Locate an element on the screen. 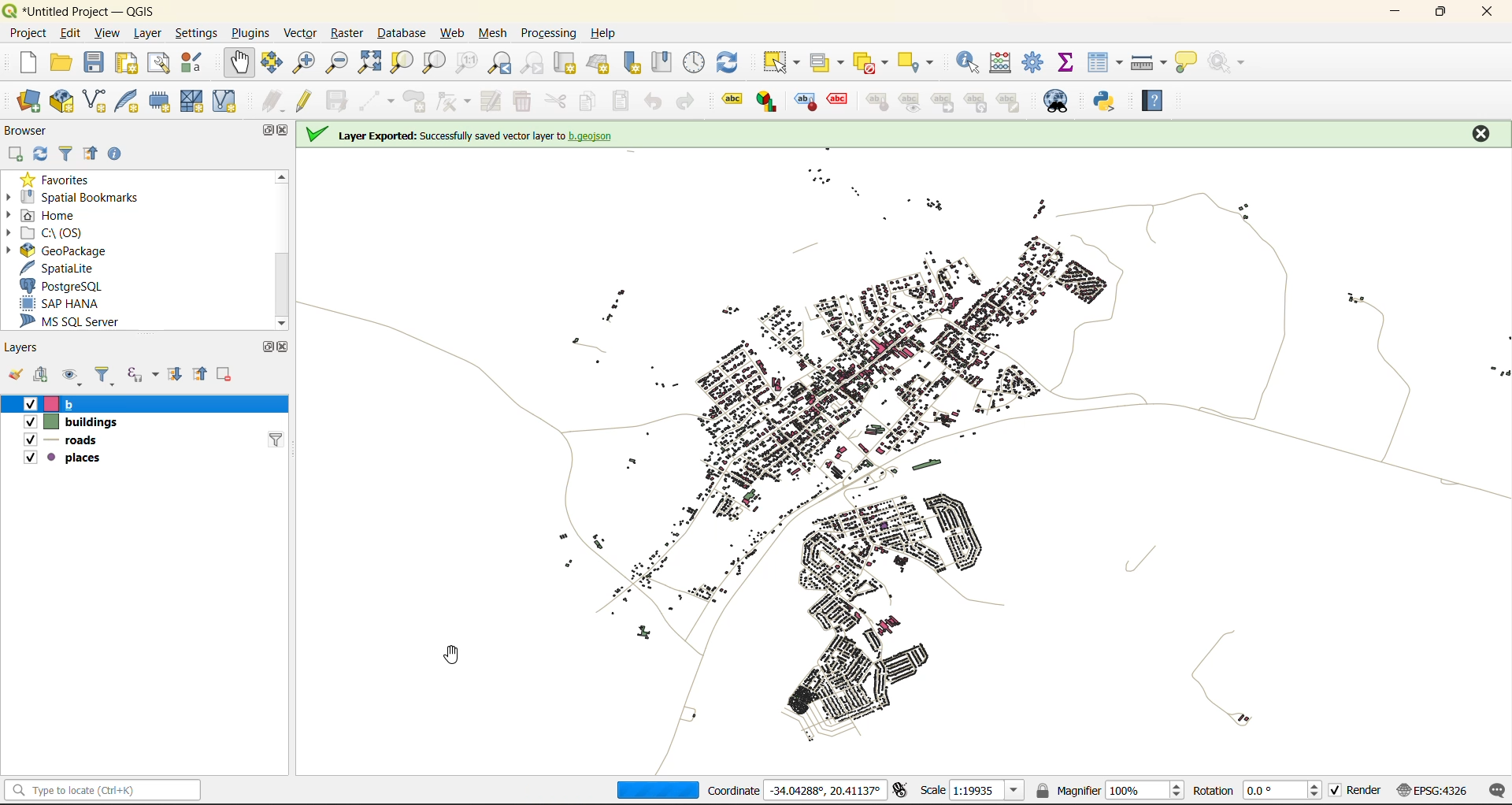 The width and height of the screenshot is (1512, 805). ms sql server is located at coordinates (76, 321).